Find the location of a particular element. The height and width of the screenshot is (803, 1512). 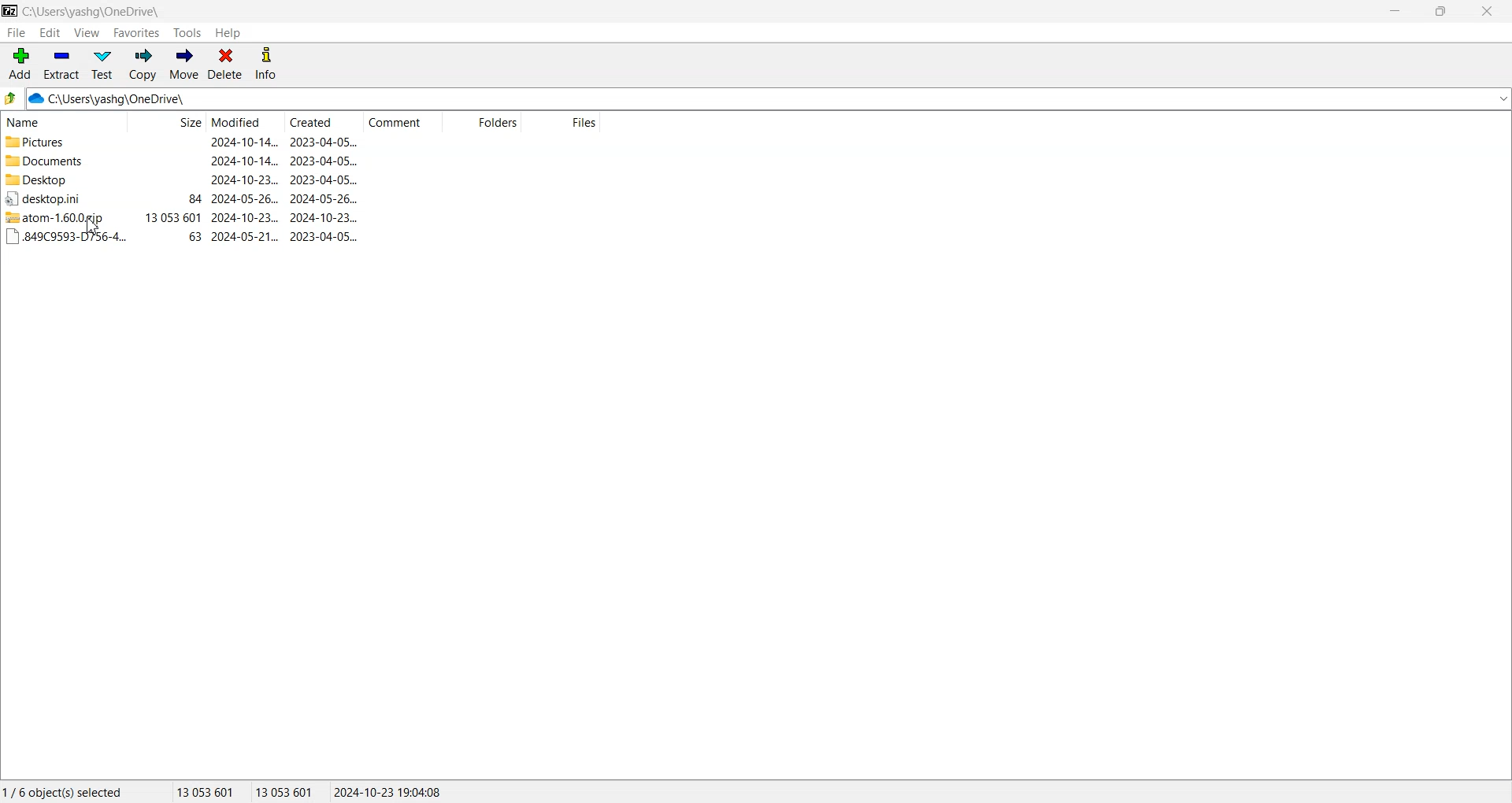

1/6 object(s) selected is located at coordinates (62, 791).